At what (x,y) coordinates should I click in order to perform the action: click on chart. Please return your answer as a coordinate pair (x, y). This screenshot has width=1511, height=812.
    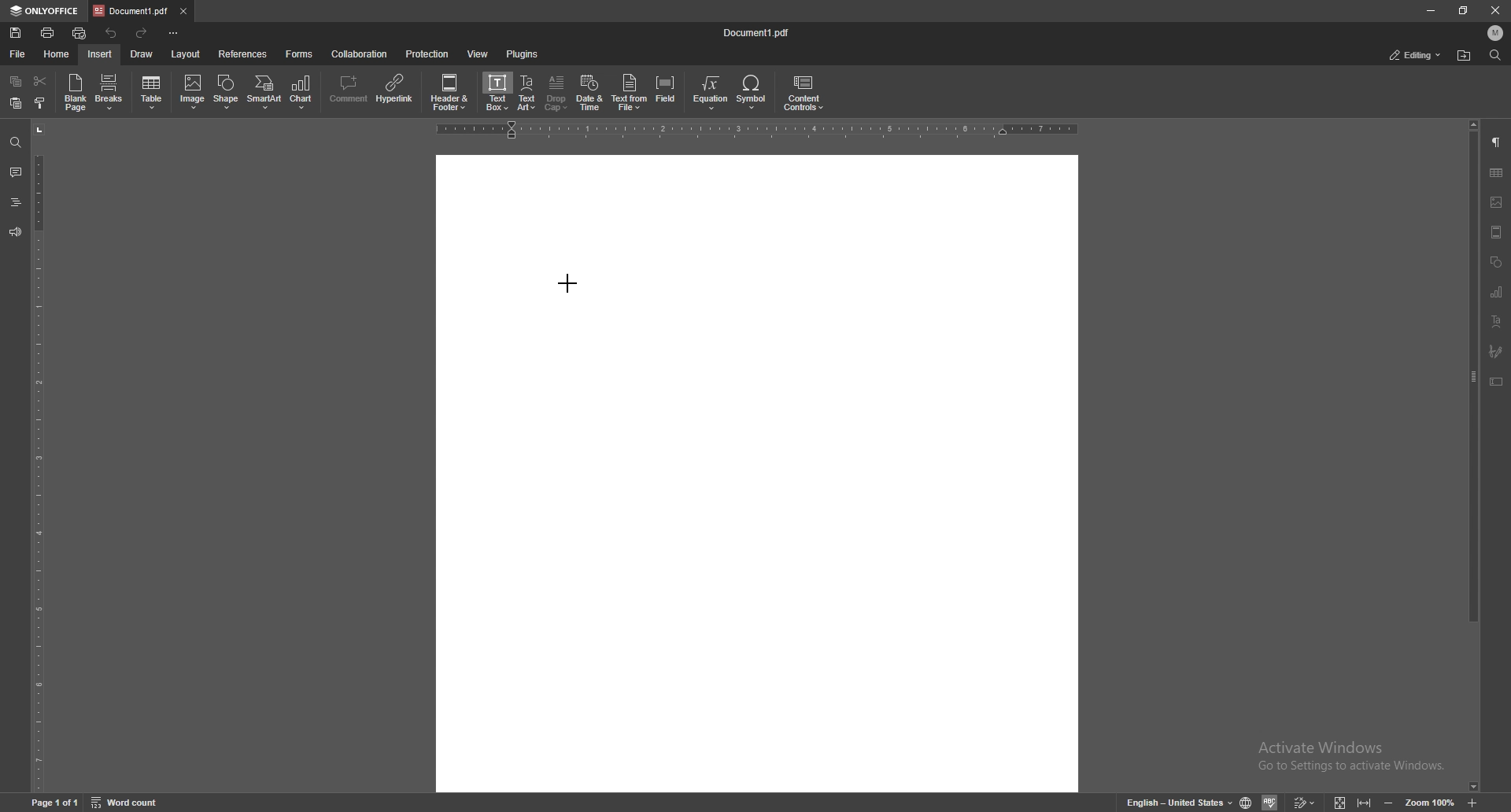
    Looking at the image, I should click on (1495, 292).